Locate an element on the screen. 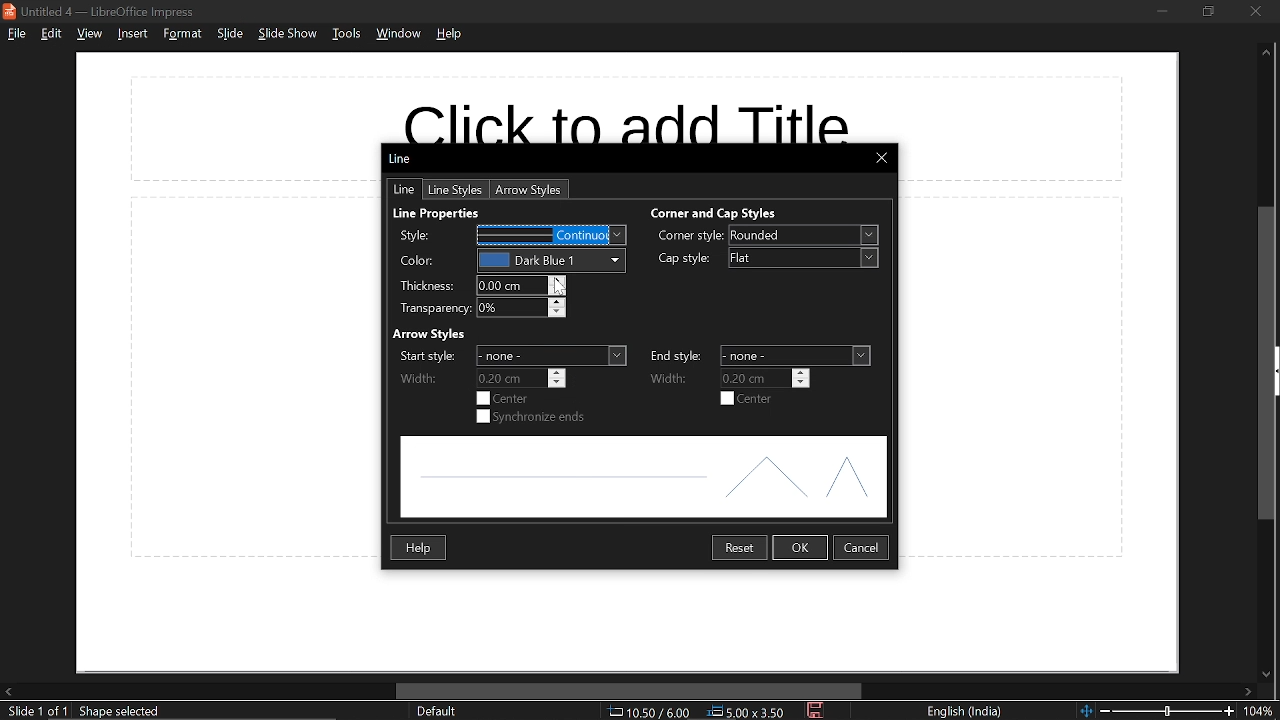  preview is located at coordinates (643, 476).